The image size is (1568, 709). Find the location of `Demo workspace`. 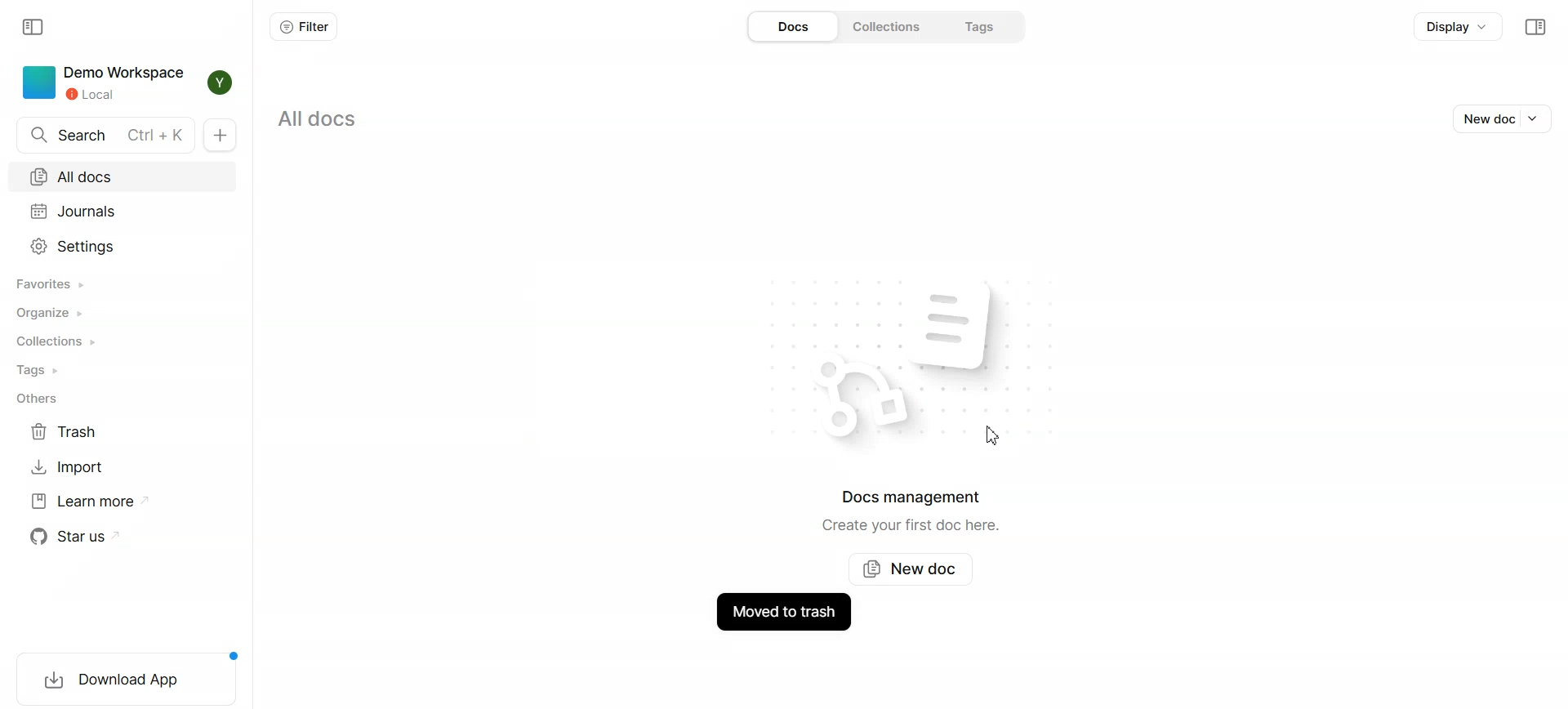

Demo workspace is located at coordinates (104, 83).